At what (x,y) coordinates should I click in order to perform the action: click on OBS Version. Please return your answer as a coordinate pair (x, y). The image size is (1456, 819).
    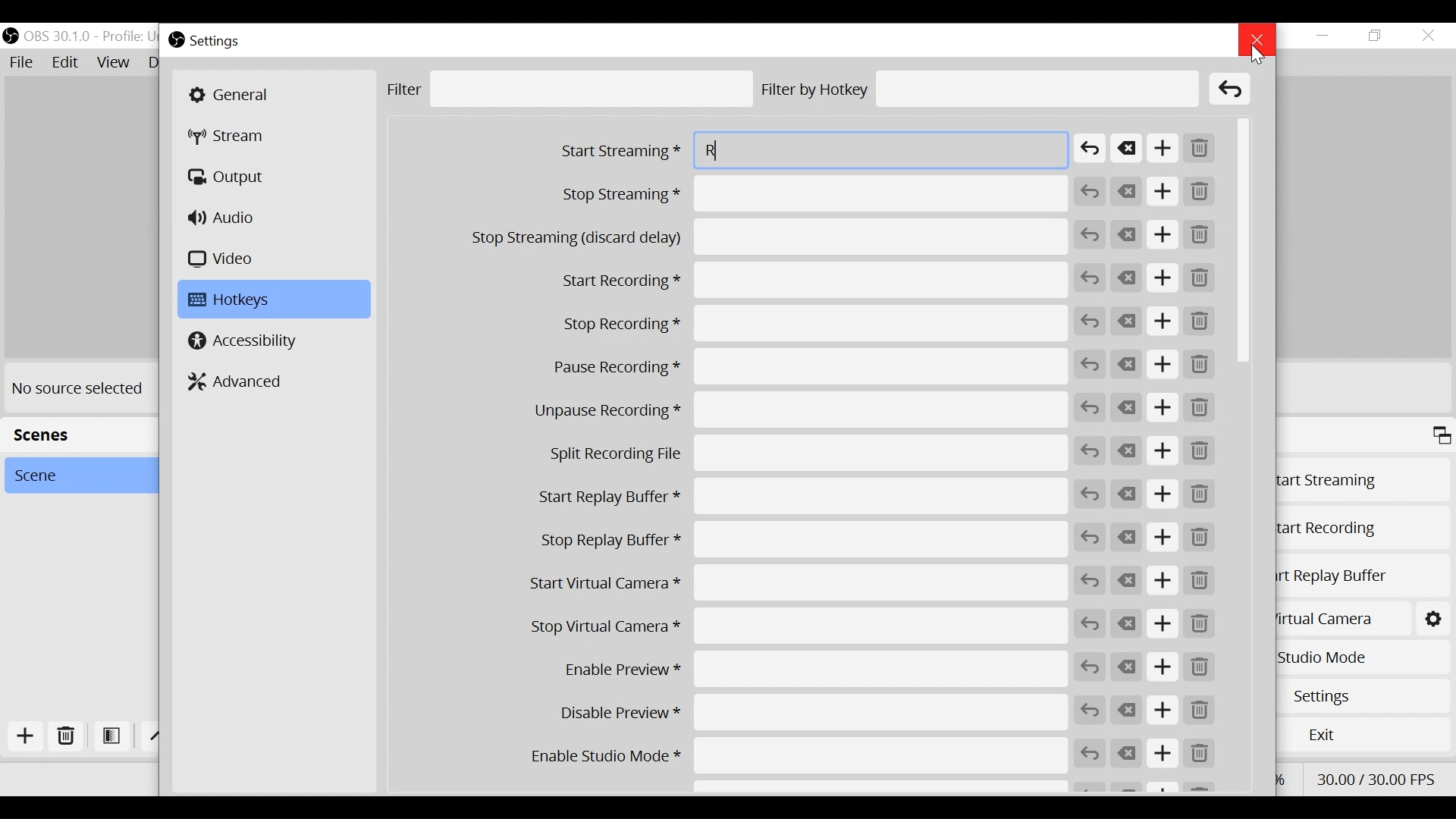
    Looking at the image, I should click on (60, 37).